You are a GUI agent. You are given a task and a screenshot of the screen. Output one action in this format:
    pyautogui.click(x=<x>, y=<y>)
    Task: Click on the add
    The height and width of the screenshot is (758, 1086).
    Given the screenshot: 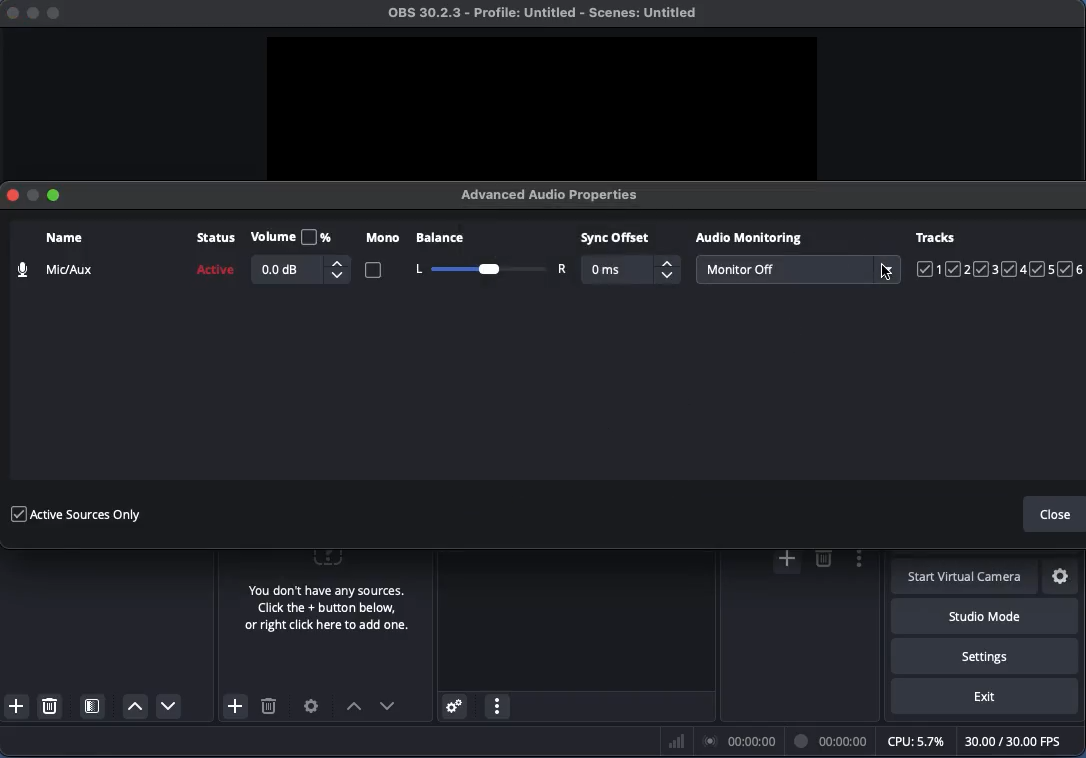 What is the action you would take?
    pyautogui.click(x=785, y=561)
    